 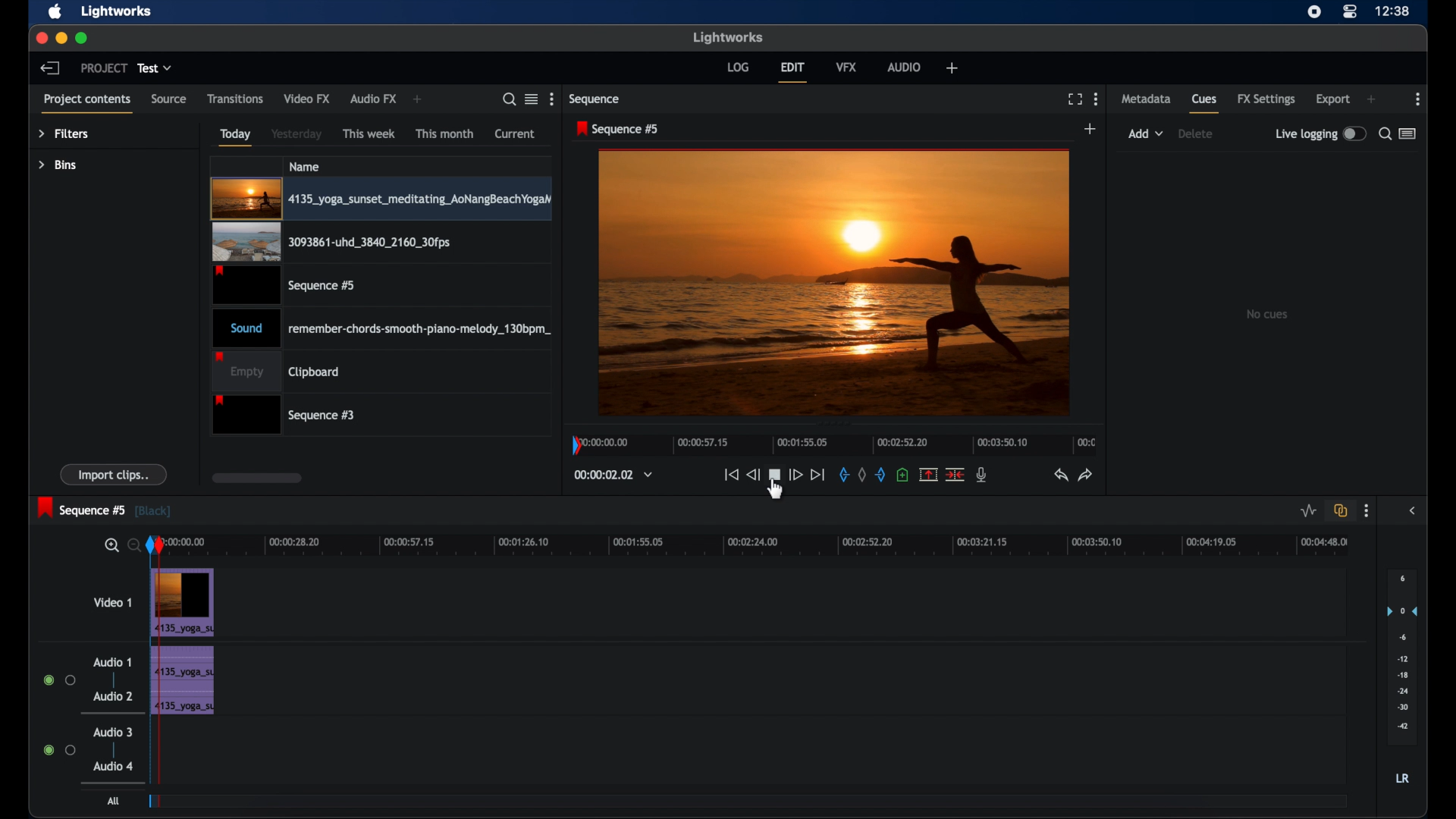 I want to click on more options, so click(x=1419, y=99).